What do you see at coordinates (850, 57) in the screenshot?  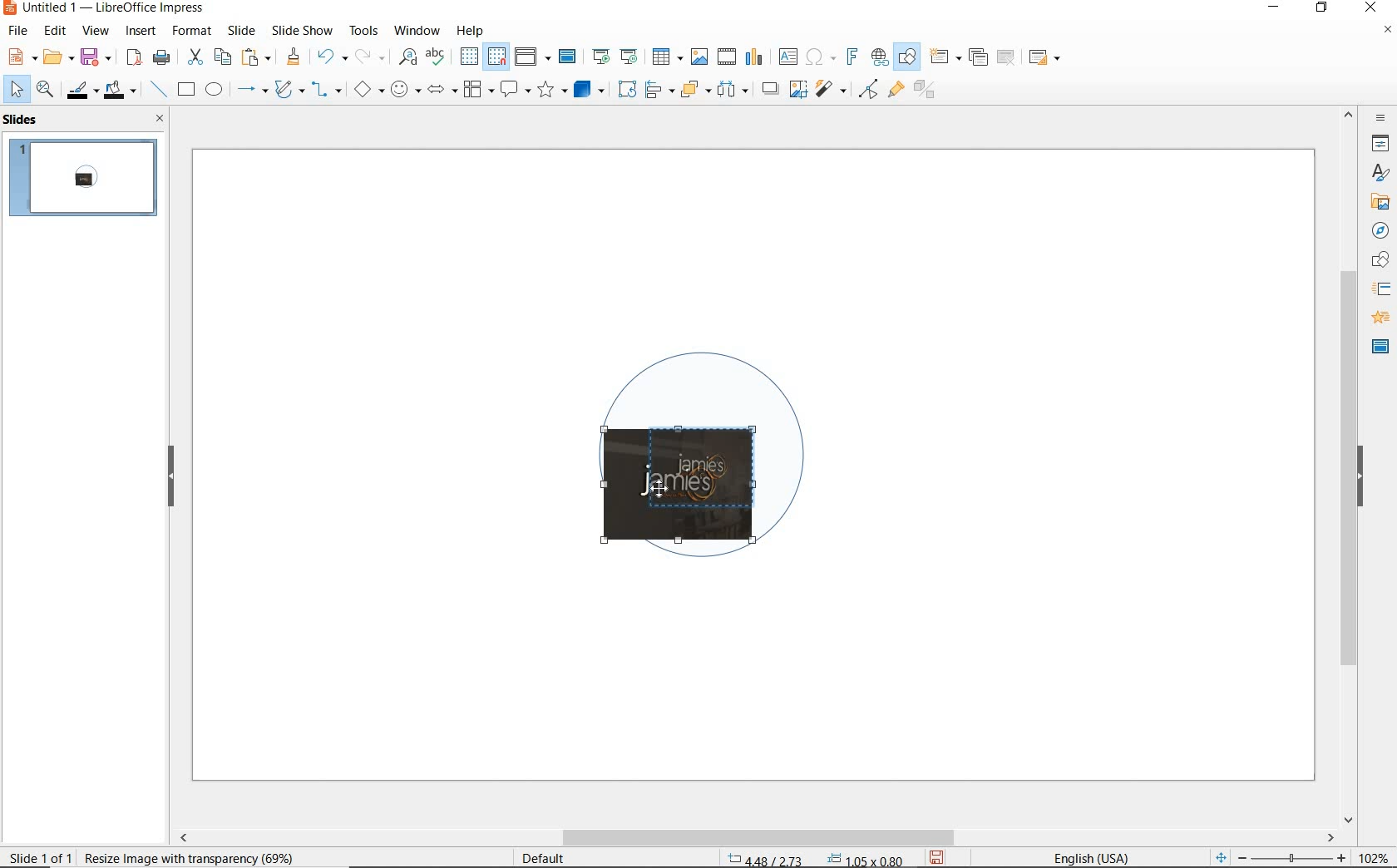 I see `insert fontwork text` at bounding box center [850, 57].